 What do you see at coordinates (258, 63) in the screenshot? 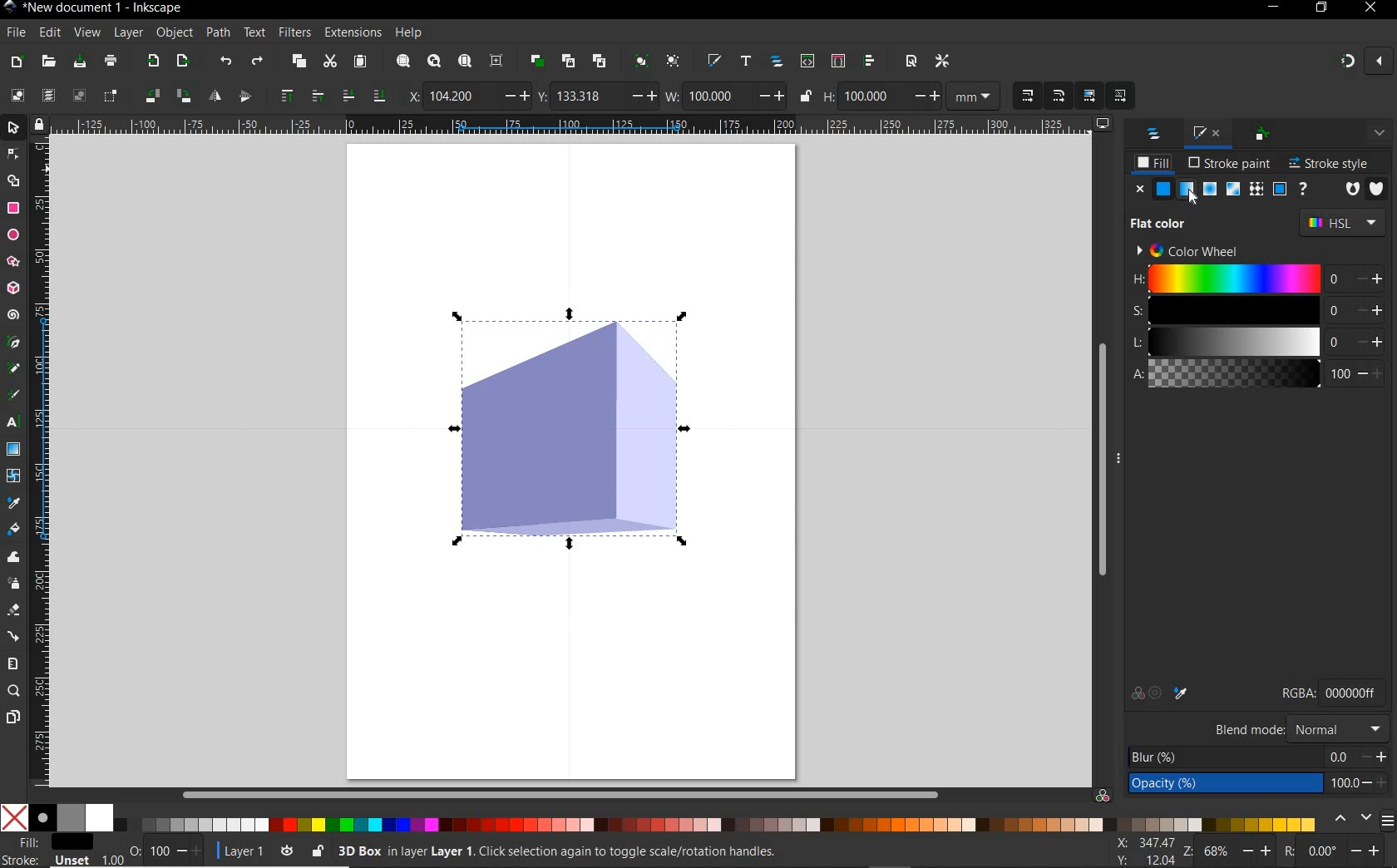
I see `REDO` at bounding box center [258, 63].